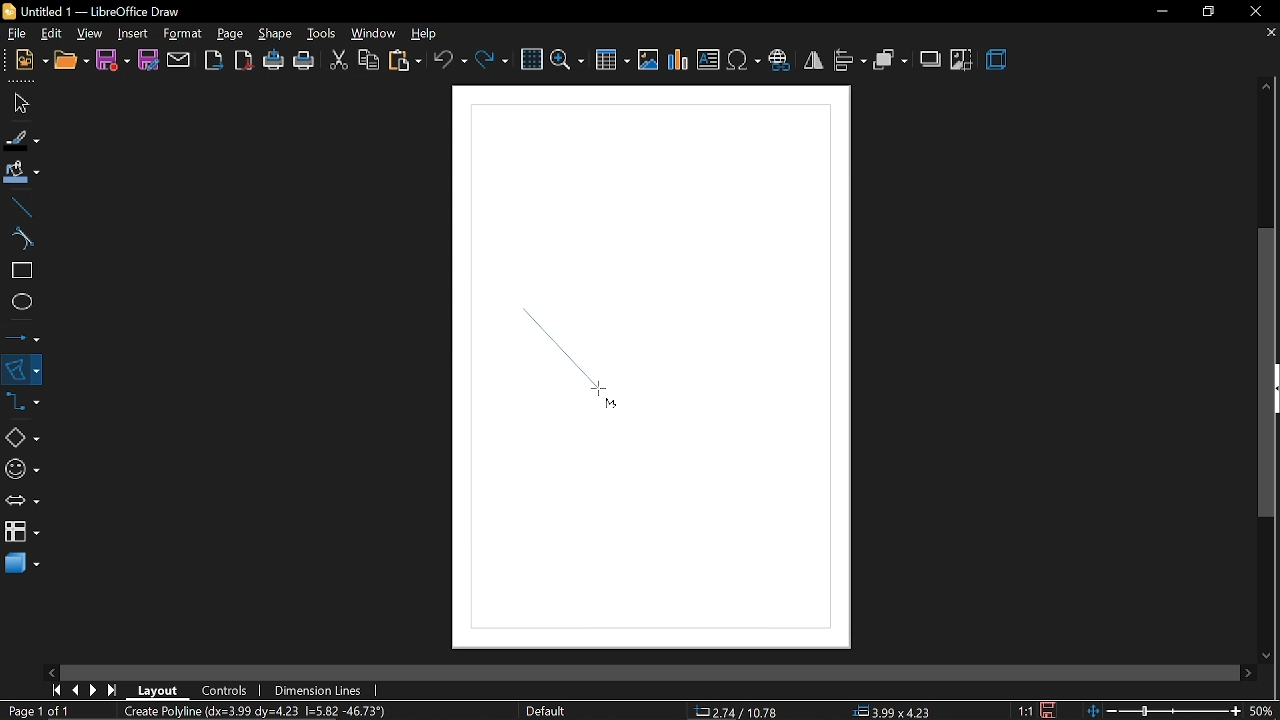 Image resolution: width=1280 pixels, height=720 pixels. Describe the element at coordinates (23, 407) in the screenshot. I see `connectors` at that location.